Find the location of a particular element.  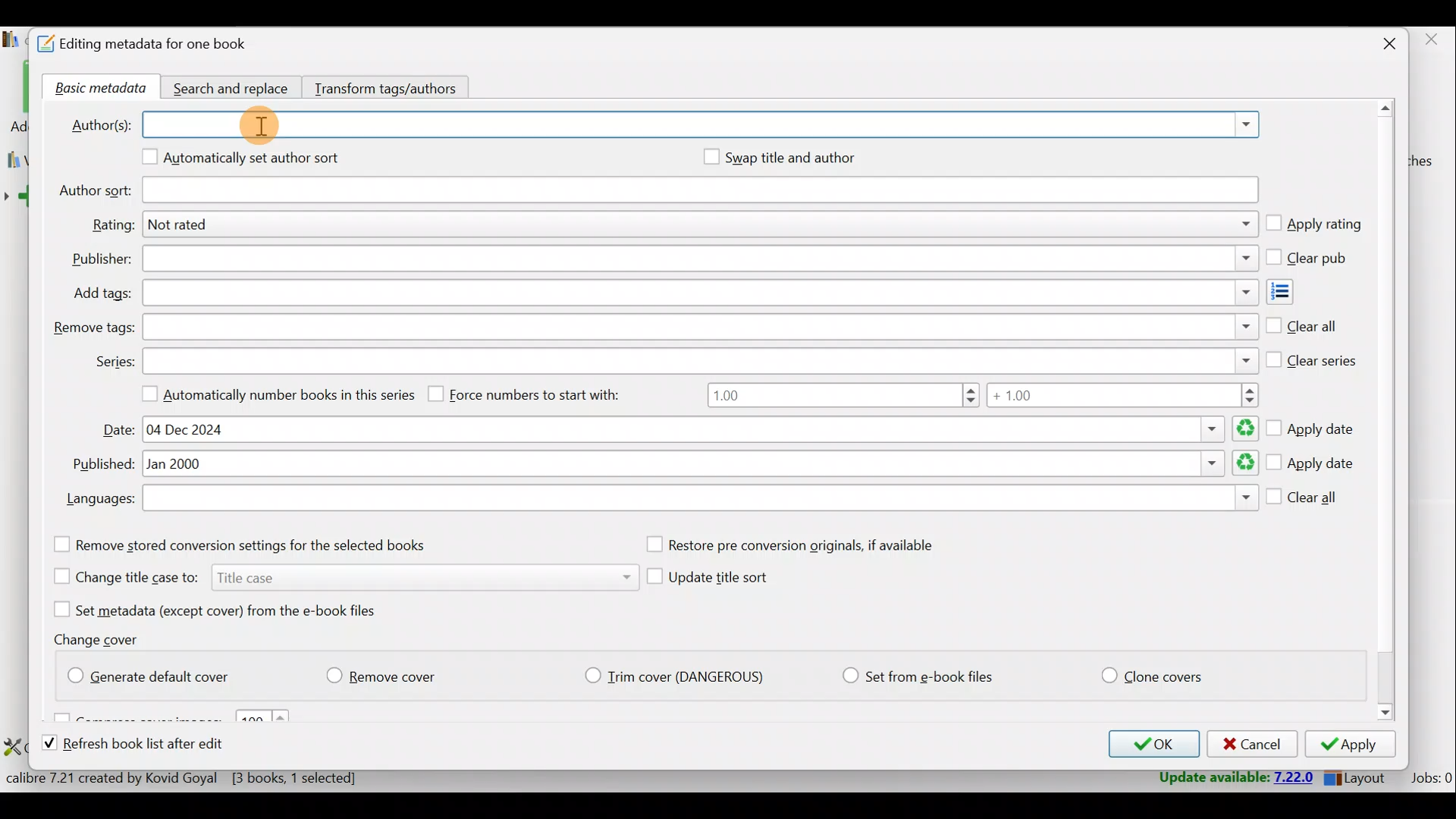

Series is located at coordinates (701, 359).